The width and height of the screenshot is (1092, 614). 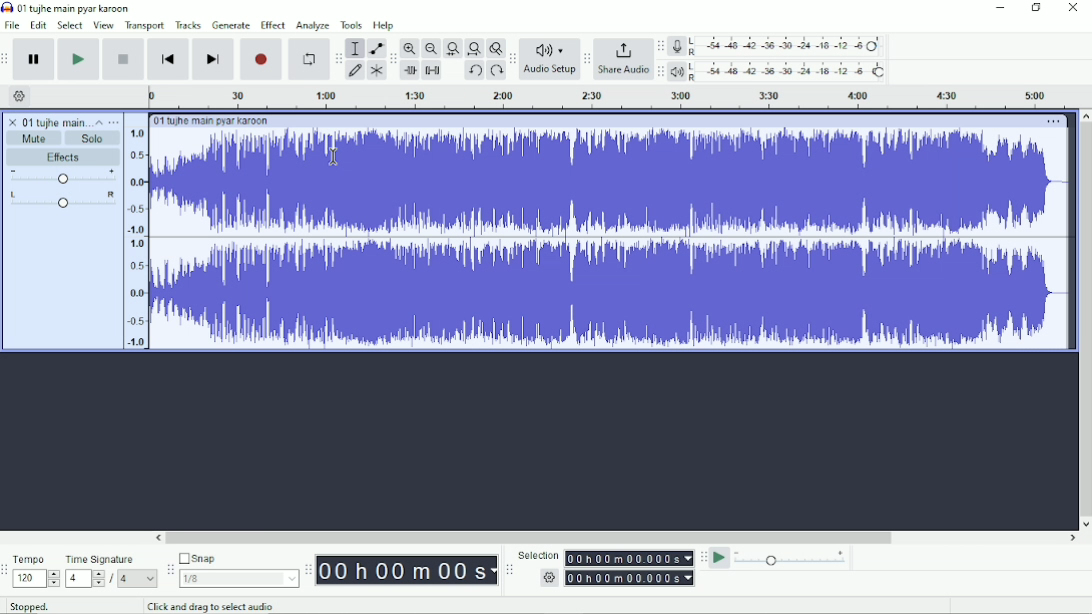 I want to click on Audacity record meter toolbar, so click(x=661, y=46).